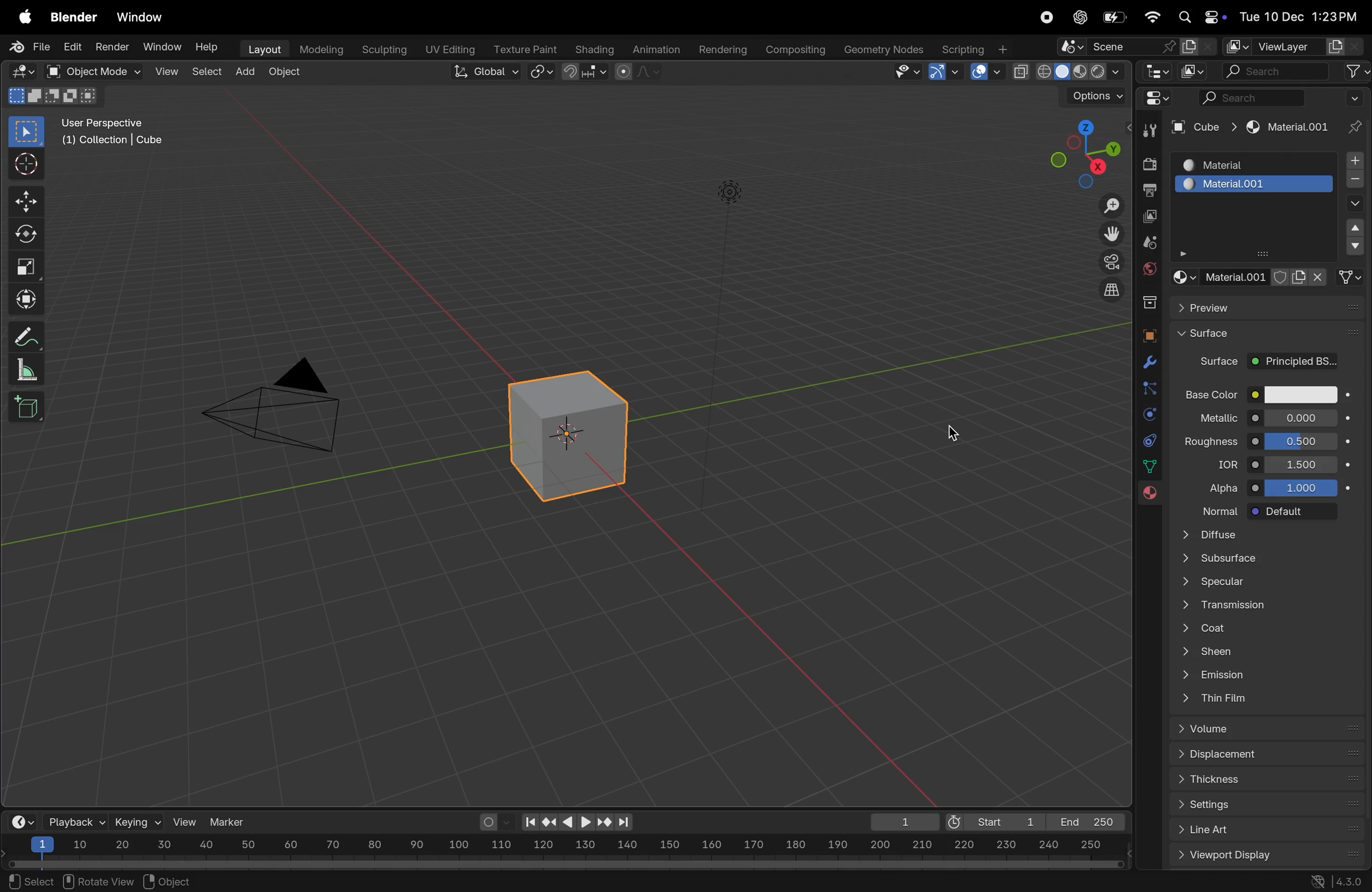 The image size is (1372, 892). What do you see at coordinates (209, 48) in the screenshot?
I see `Help` at bounding box center [209, 48].